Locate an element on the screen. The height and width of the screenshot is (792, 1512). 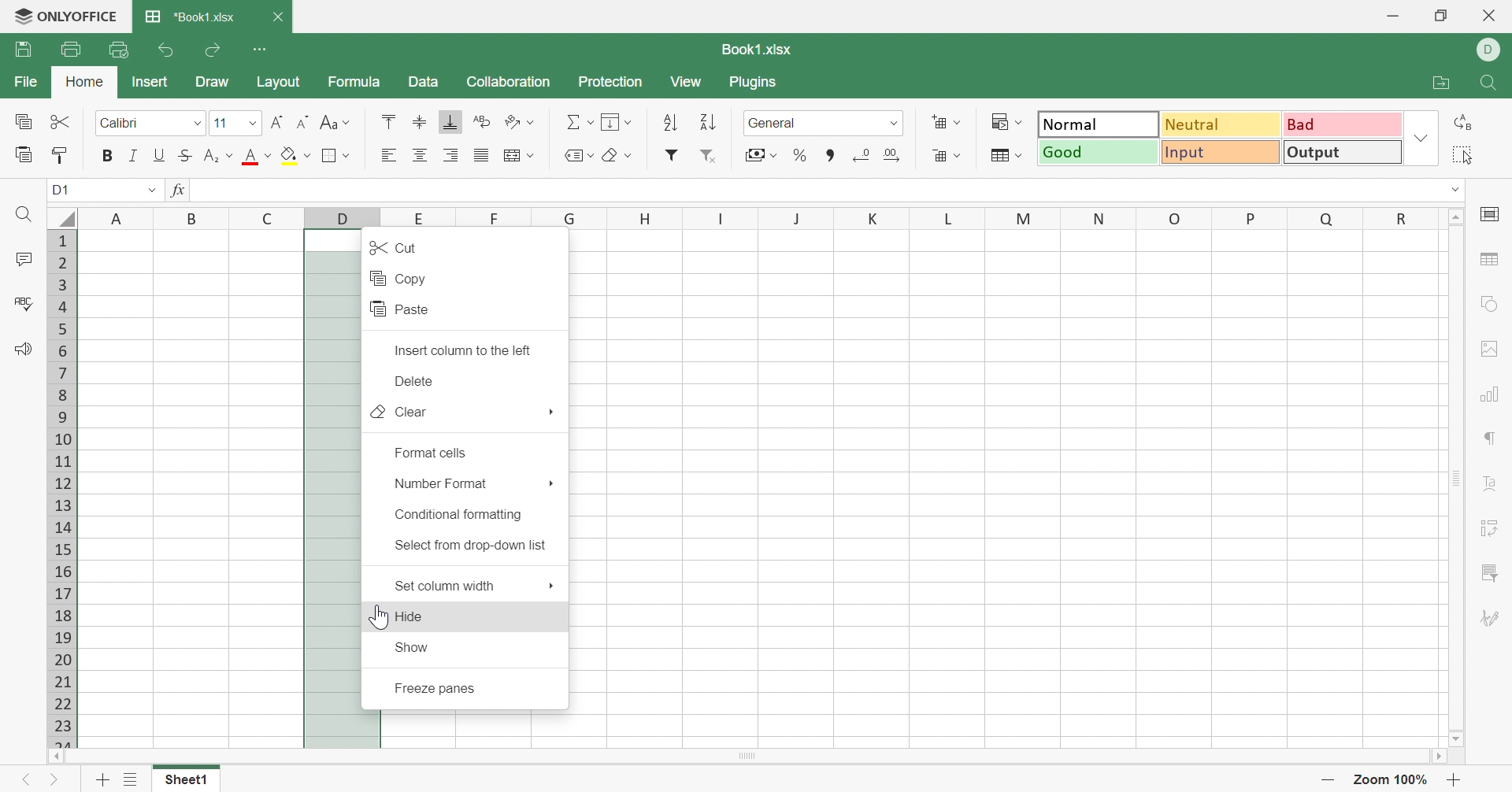
Collaboration is located at coordinates (509, 82).